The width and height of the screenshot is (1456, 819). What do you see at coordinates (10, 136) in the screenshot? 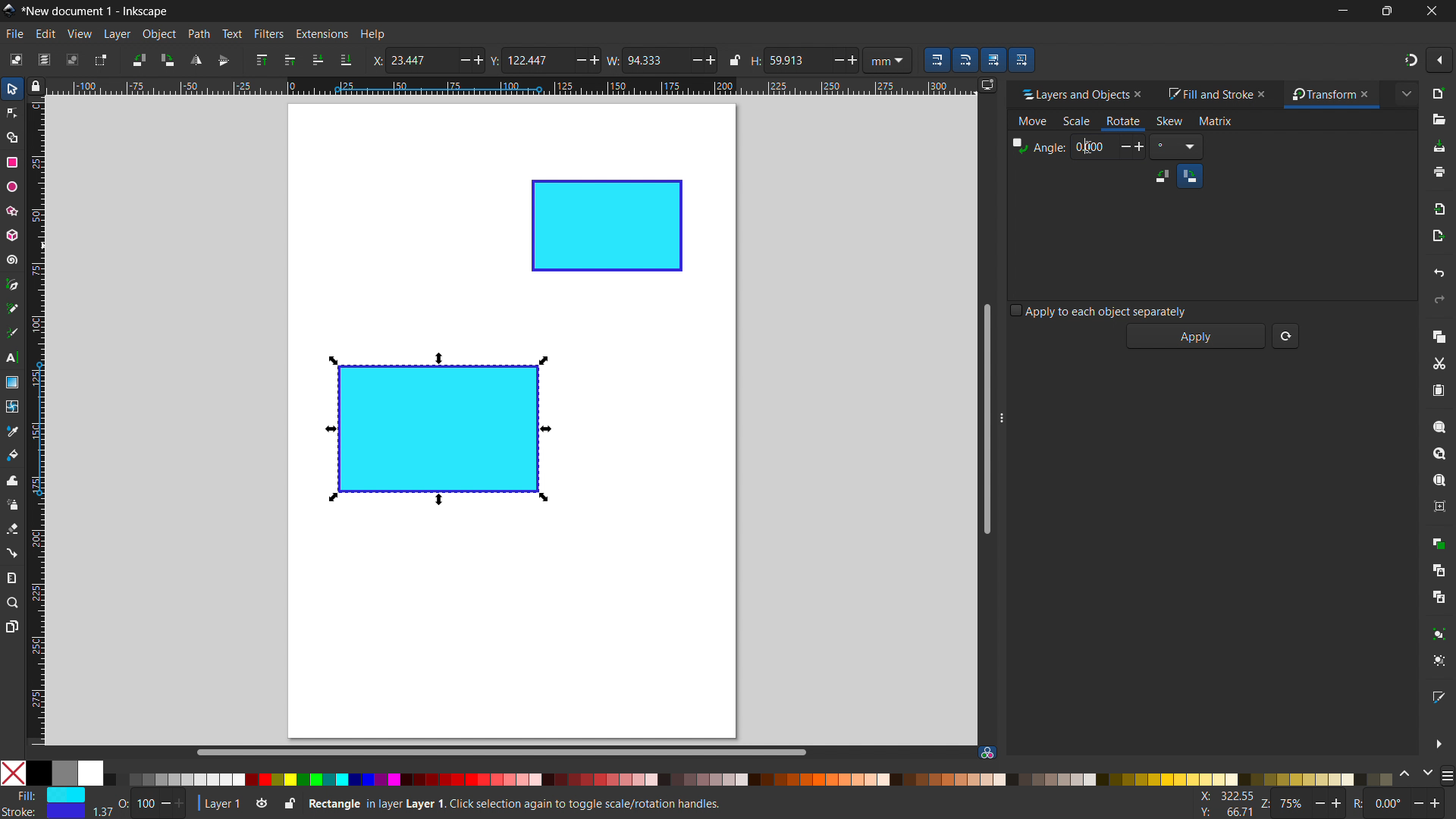
I see `shape builder tool` at bounding box center [10, 136].